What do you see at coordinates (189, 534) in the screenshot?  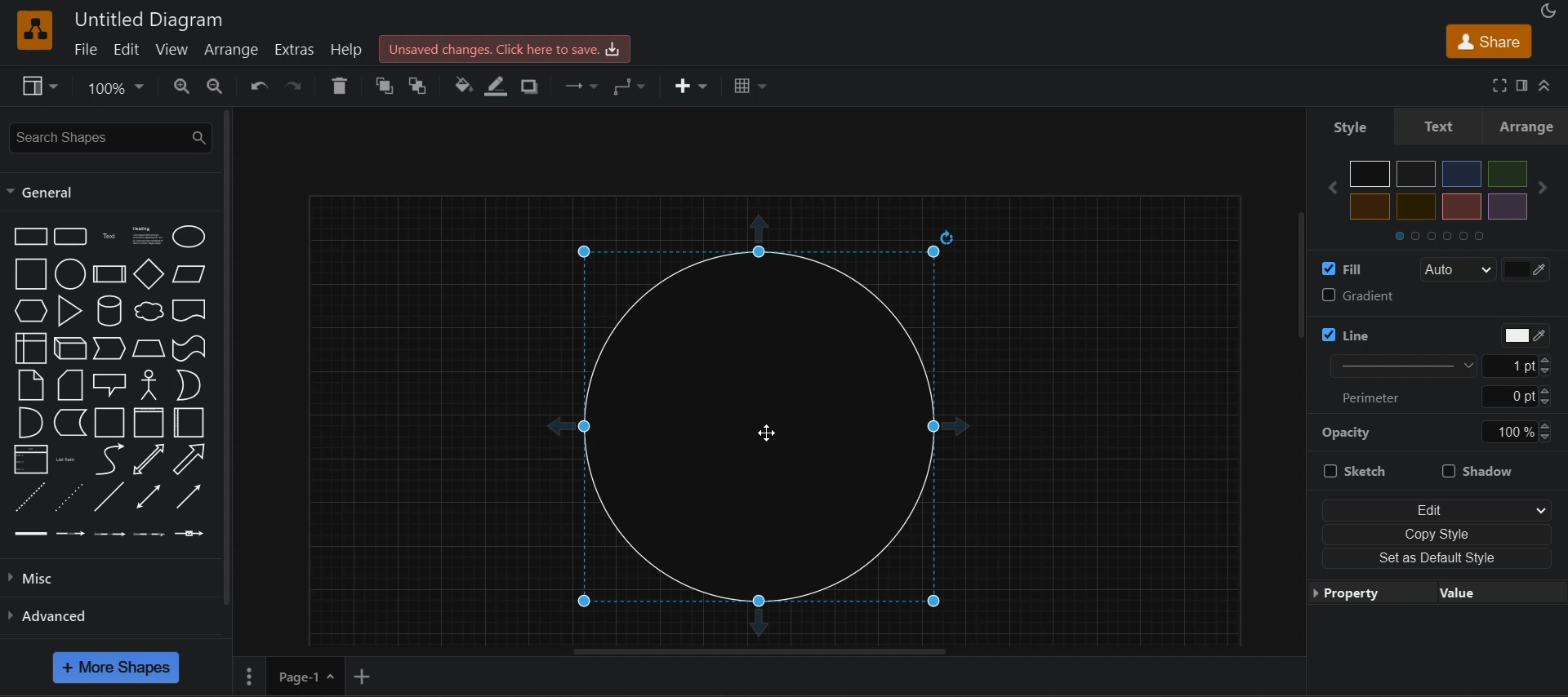 I see `Connector 5` at bounding box center [189, 534].